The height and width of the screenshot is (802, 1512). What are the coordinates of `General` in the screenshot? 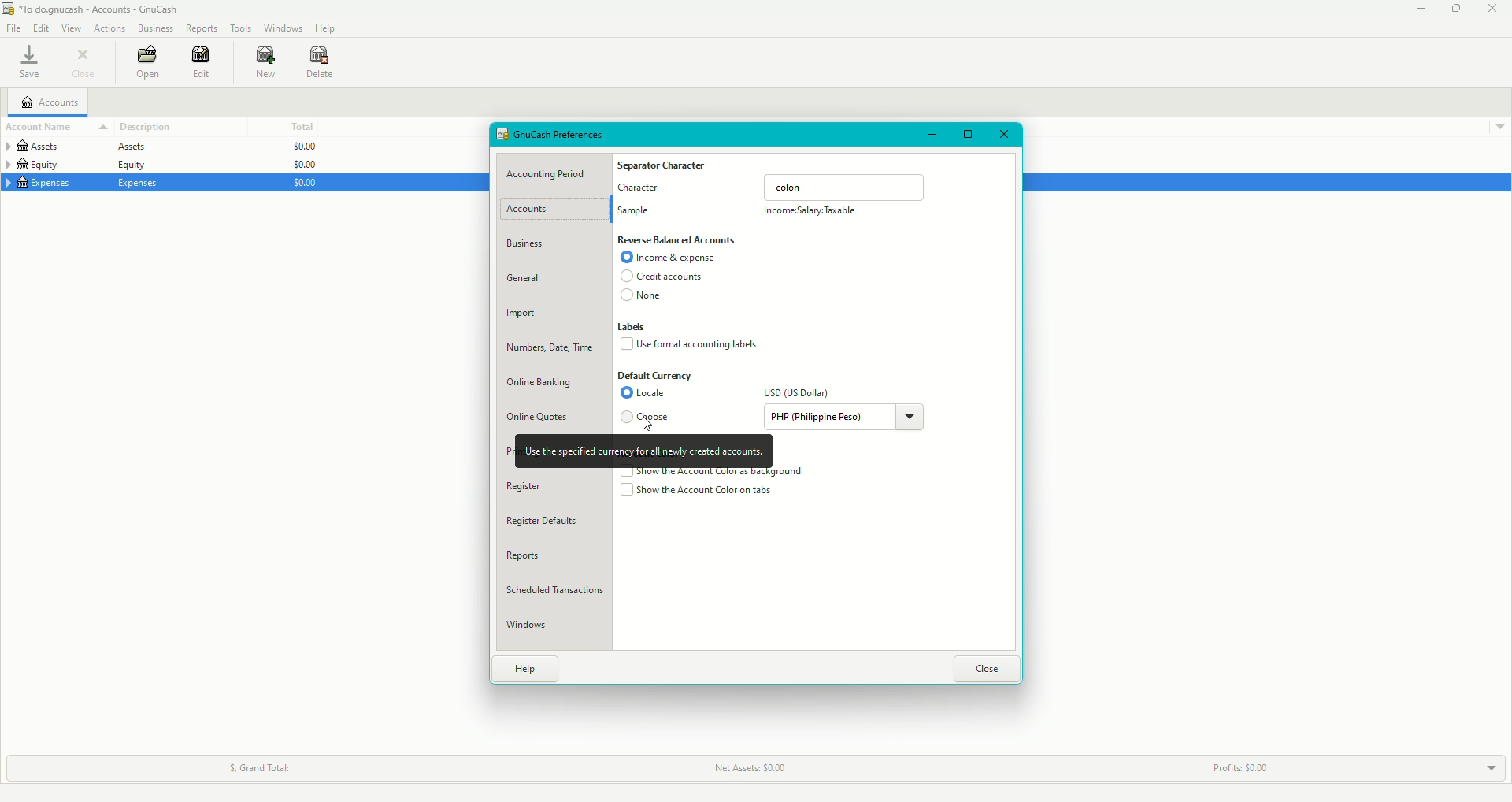 It's located at (526, 278).